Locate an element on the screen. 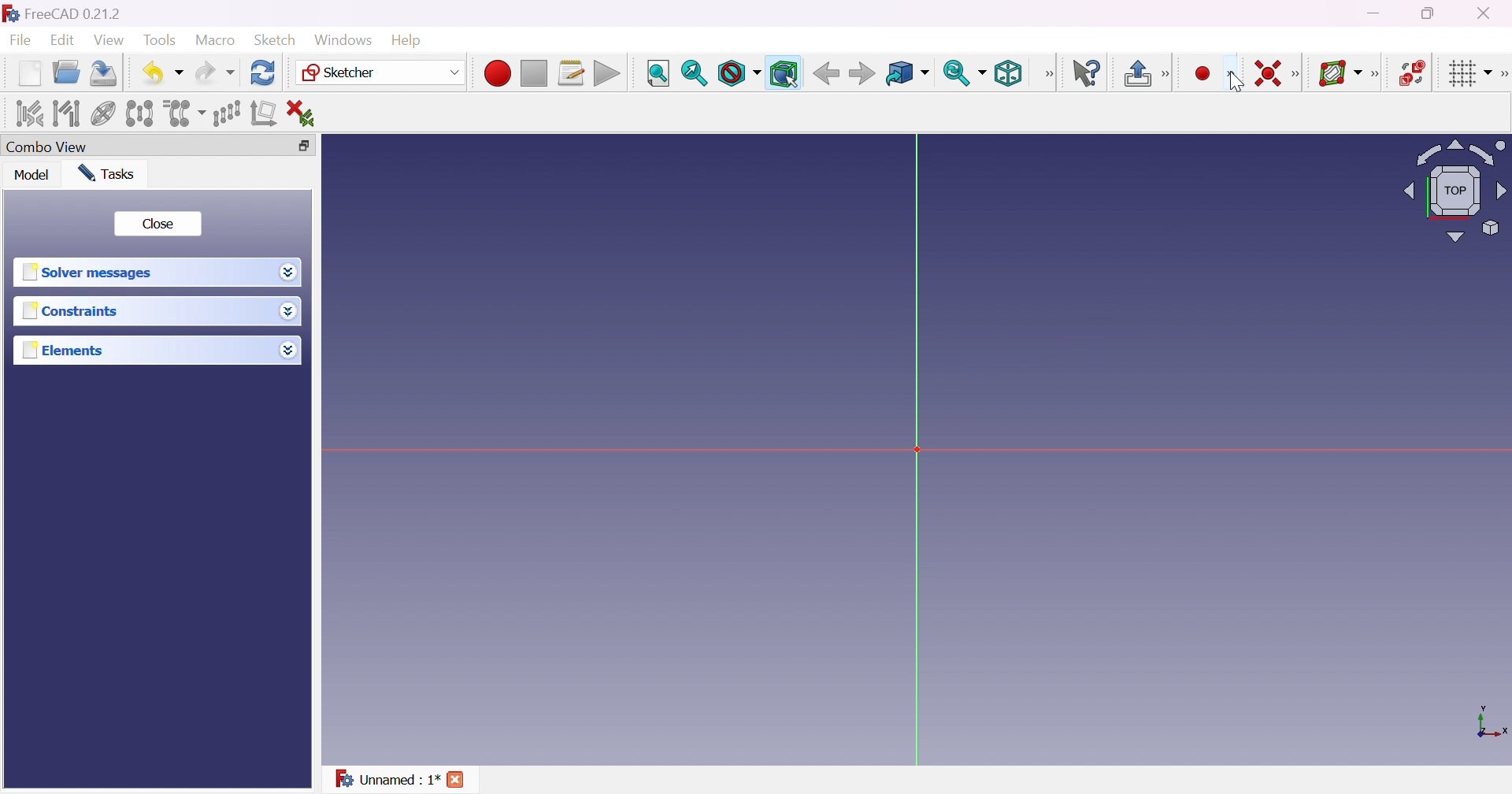  Undo is located at coordinates (162, 73).